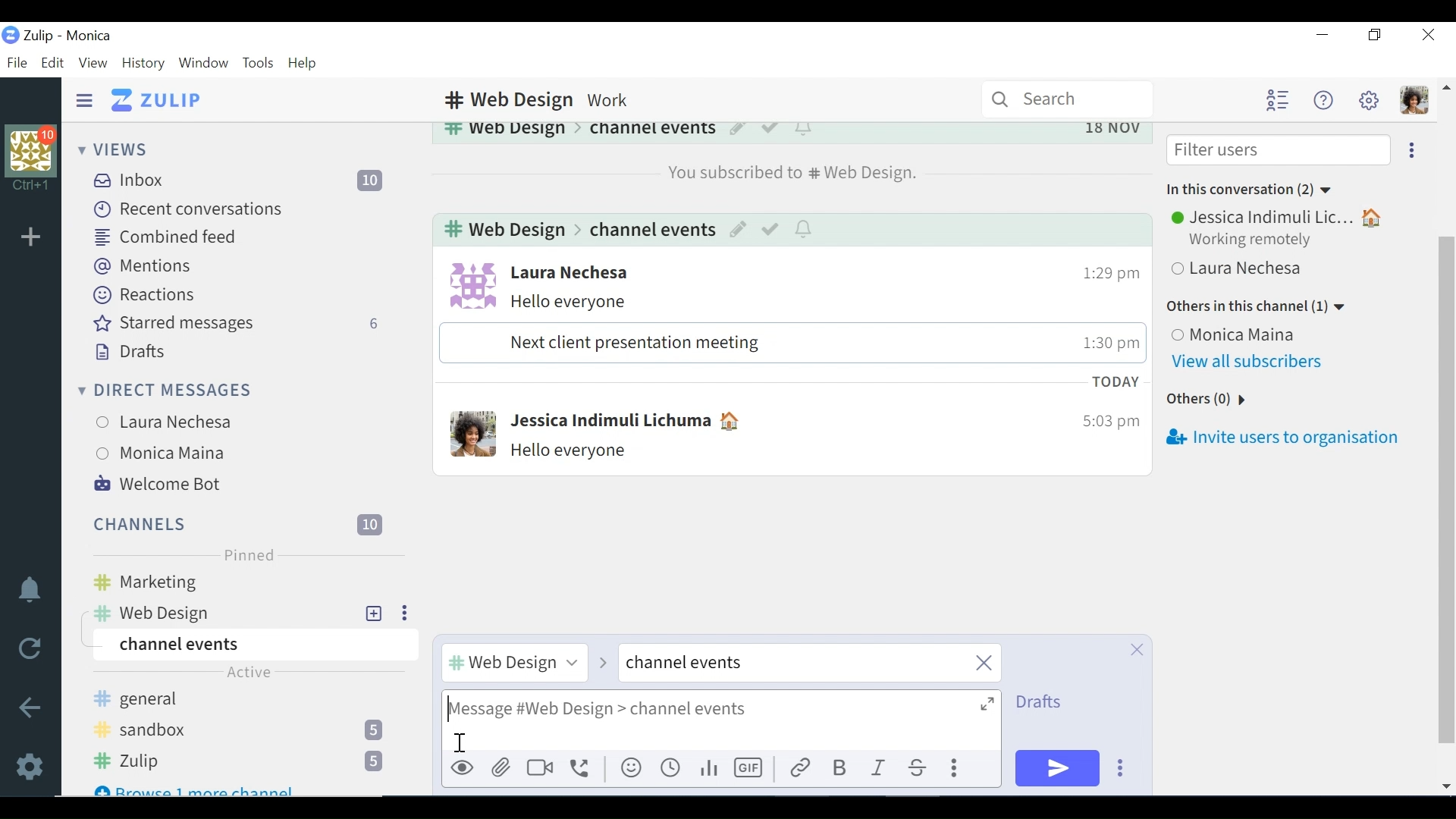 The width and height of the screenshot is (1456, 819). Describe the element at coordinates (459, 740) in the screenshot. I see `cursor` at that location.